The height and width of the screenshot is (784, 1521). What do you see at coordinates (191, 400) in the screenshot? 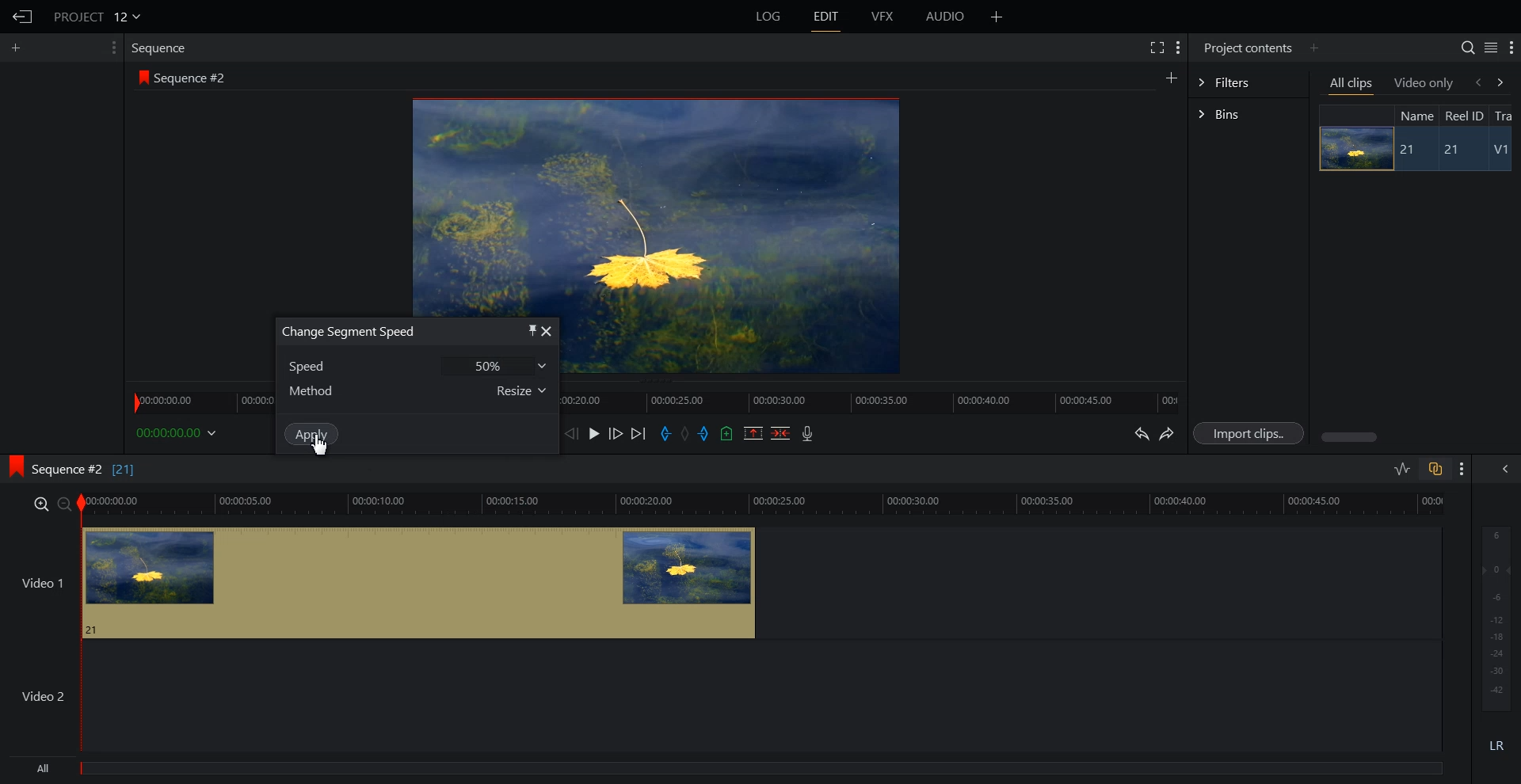
I see `timeline` at bounding box center [191, 400].